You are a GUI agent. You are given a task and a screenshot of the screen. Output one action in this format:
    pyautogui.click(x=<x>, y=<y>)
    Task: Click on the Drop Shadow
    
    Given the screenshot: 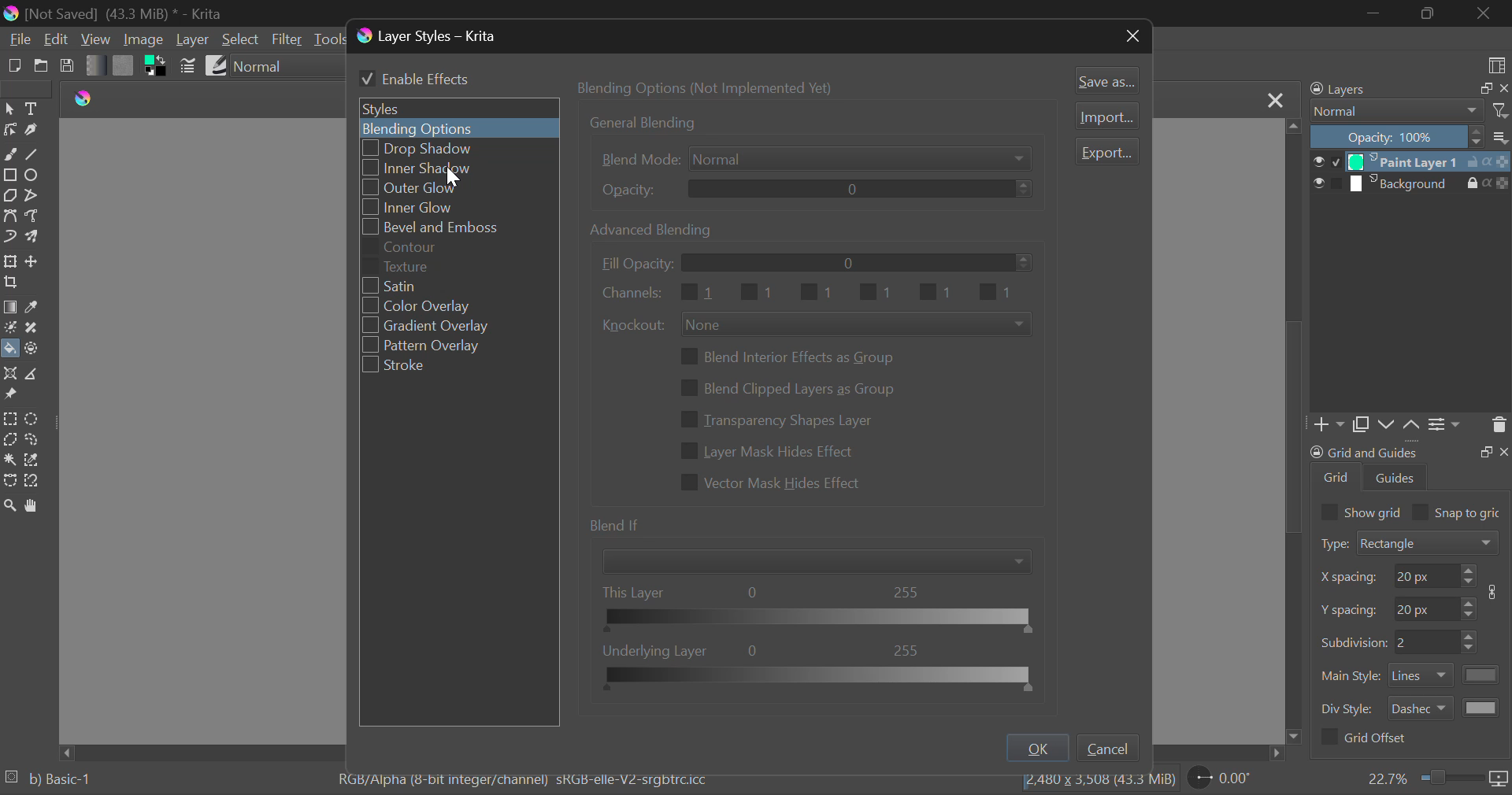 What is the action you would take?
    pyautogui.click(x=457, y=146)
    